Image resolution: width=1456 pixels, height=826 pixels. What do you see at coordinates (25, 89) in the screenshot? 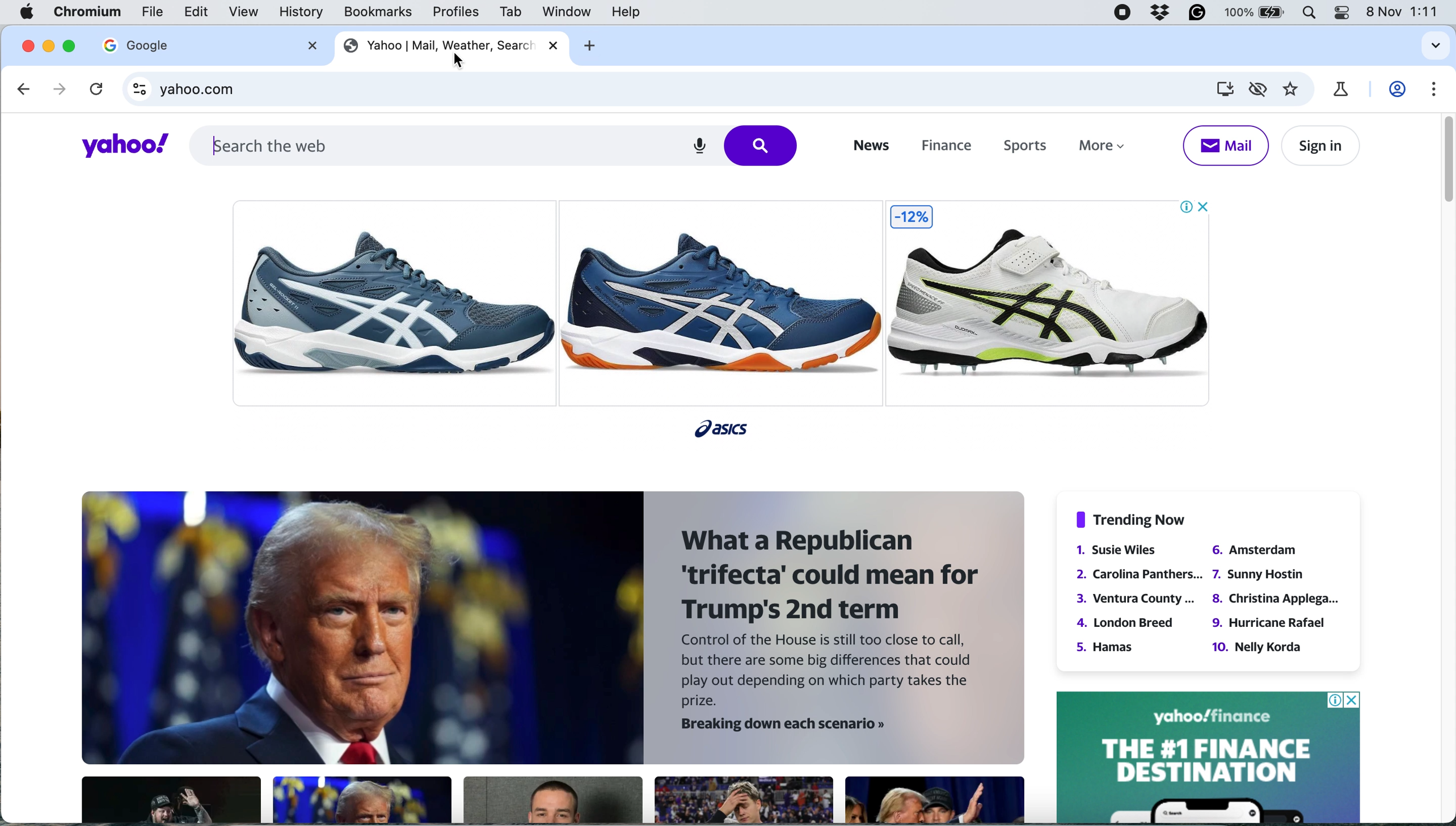
I see `go back` at bounding box center [25, 89].